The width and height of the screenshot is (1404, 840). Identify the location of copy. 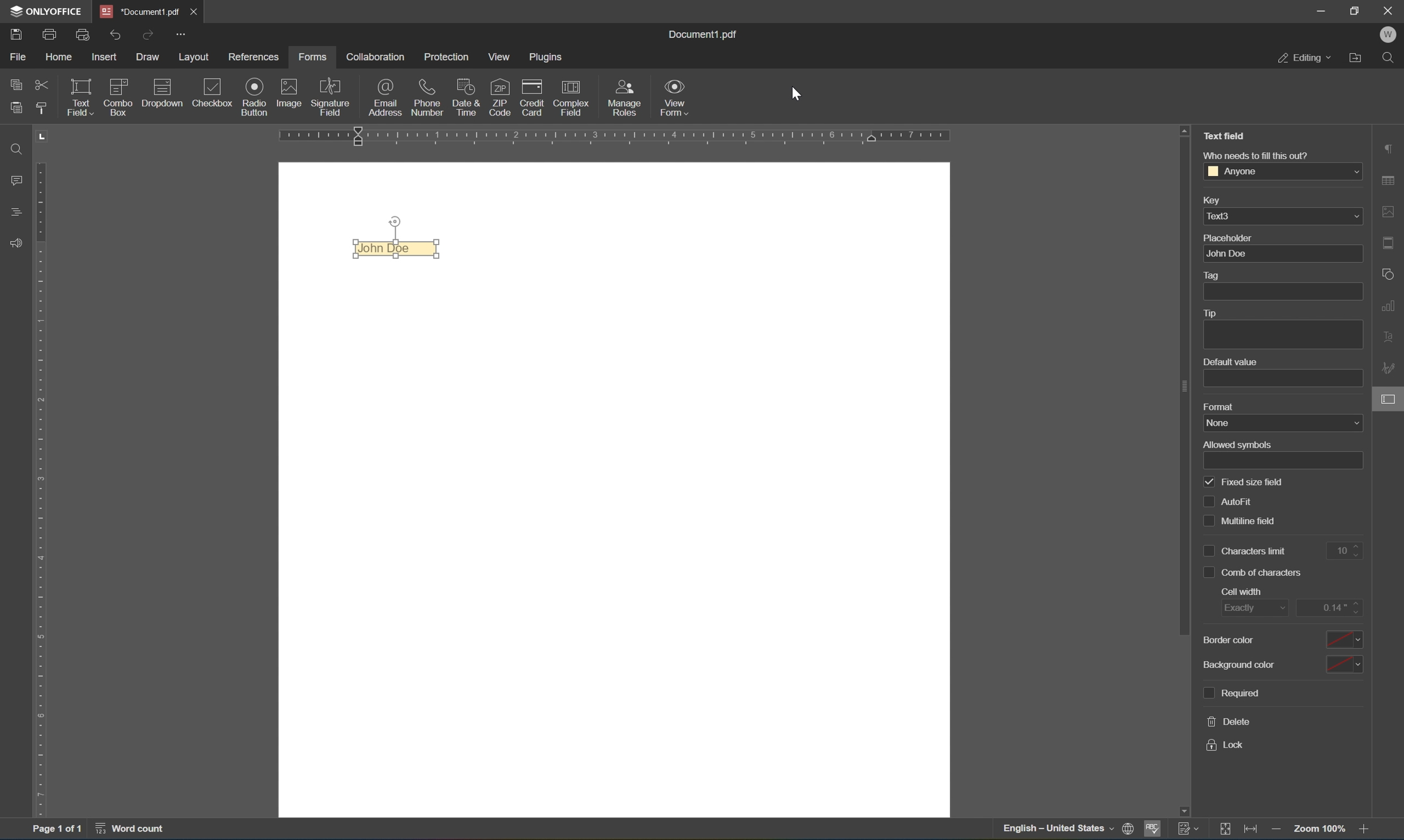
(17, 83).